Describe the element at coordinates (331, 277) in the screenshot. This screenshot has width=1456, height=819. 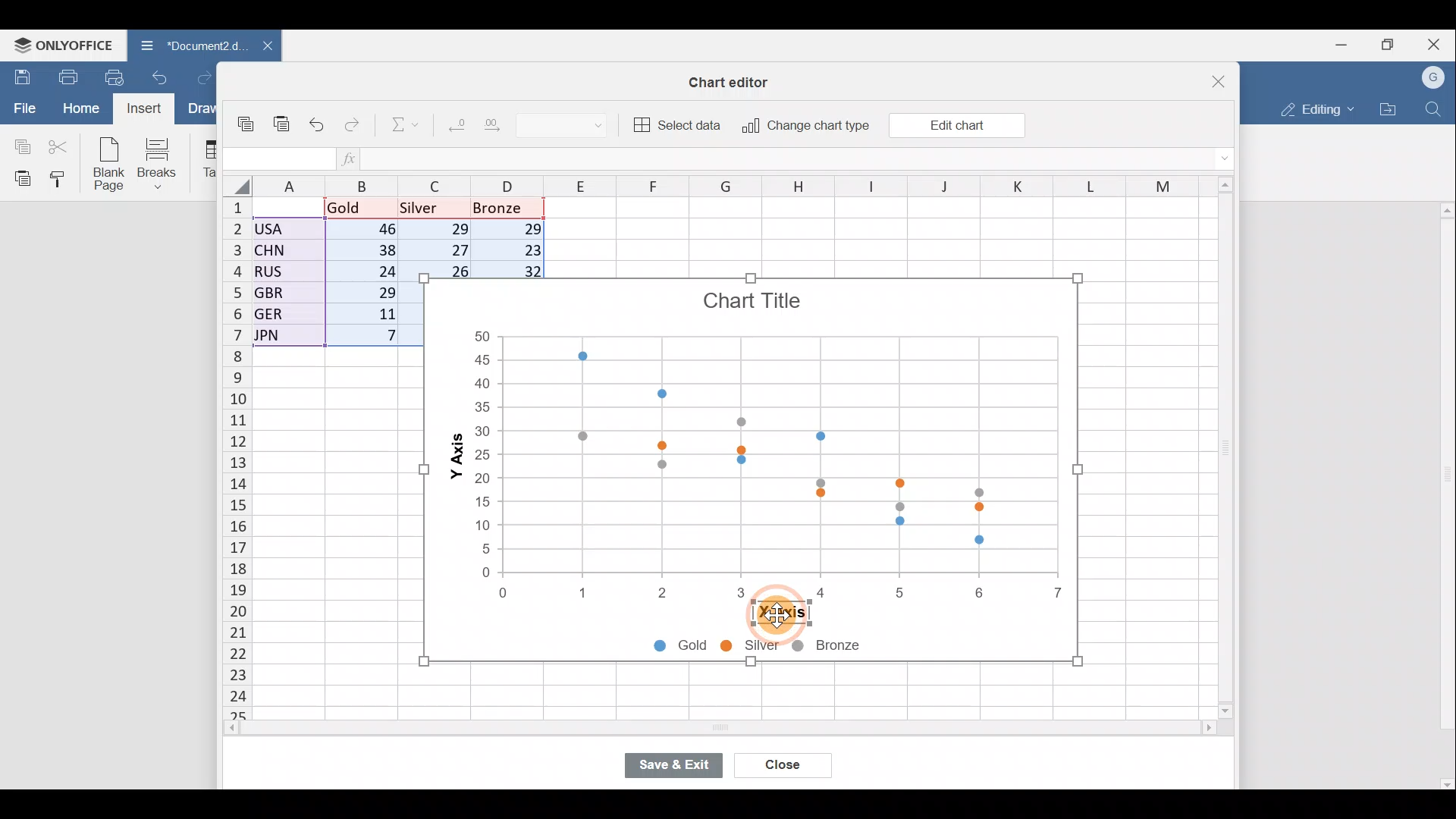
I see `Data` at that location.